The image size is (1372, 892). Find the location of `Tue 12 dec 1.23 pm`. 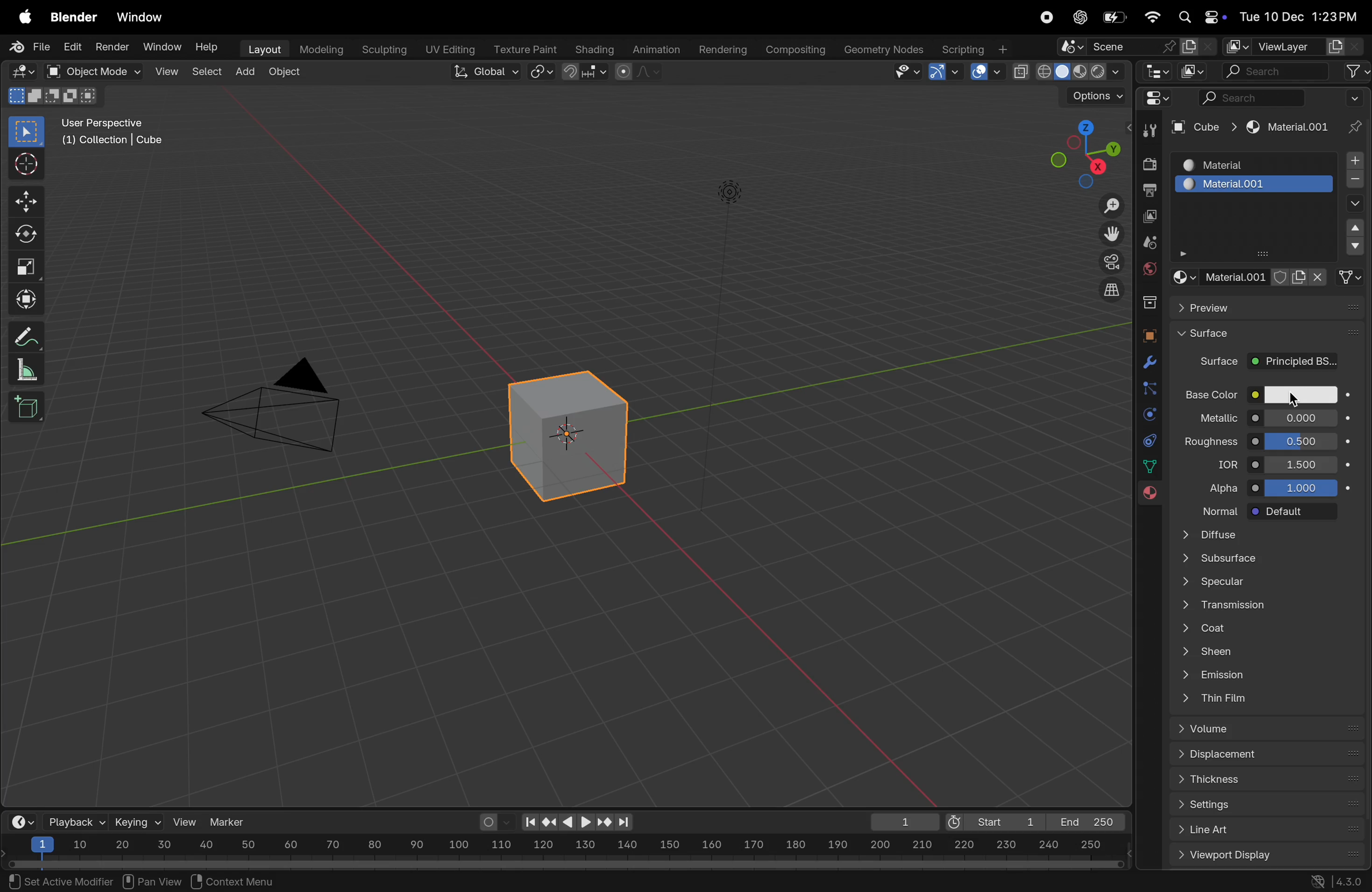

Tue 12 dec 1.23 pm is located at coordinates (1297, 17).